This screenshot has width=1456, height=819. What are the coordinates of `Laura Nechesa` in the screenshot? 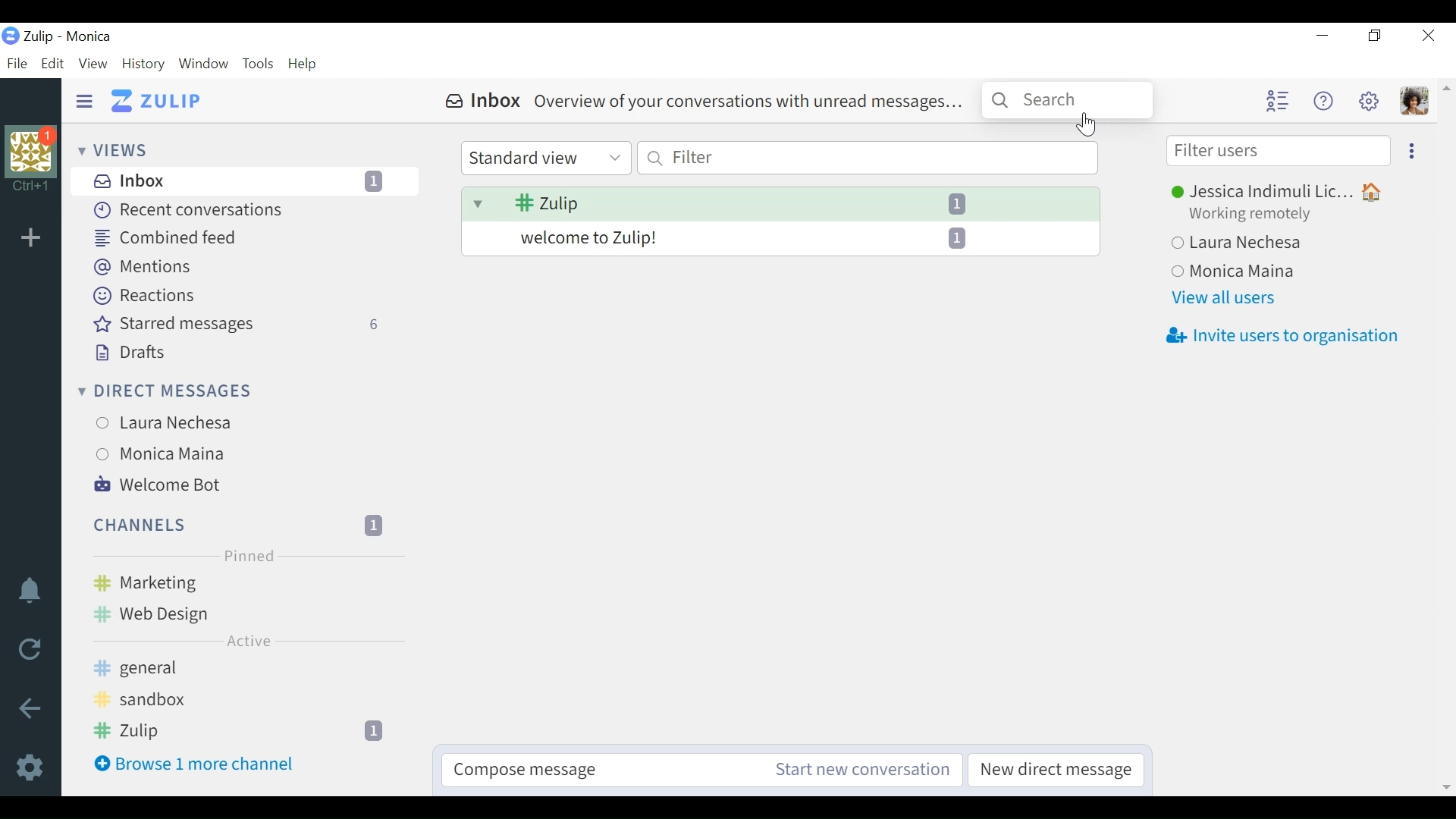 It's located at (1246, 243).